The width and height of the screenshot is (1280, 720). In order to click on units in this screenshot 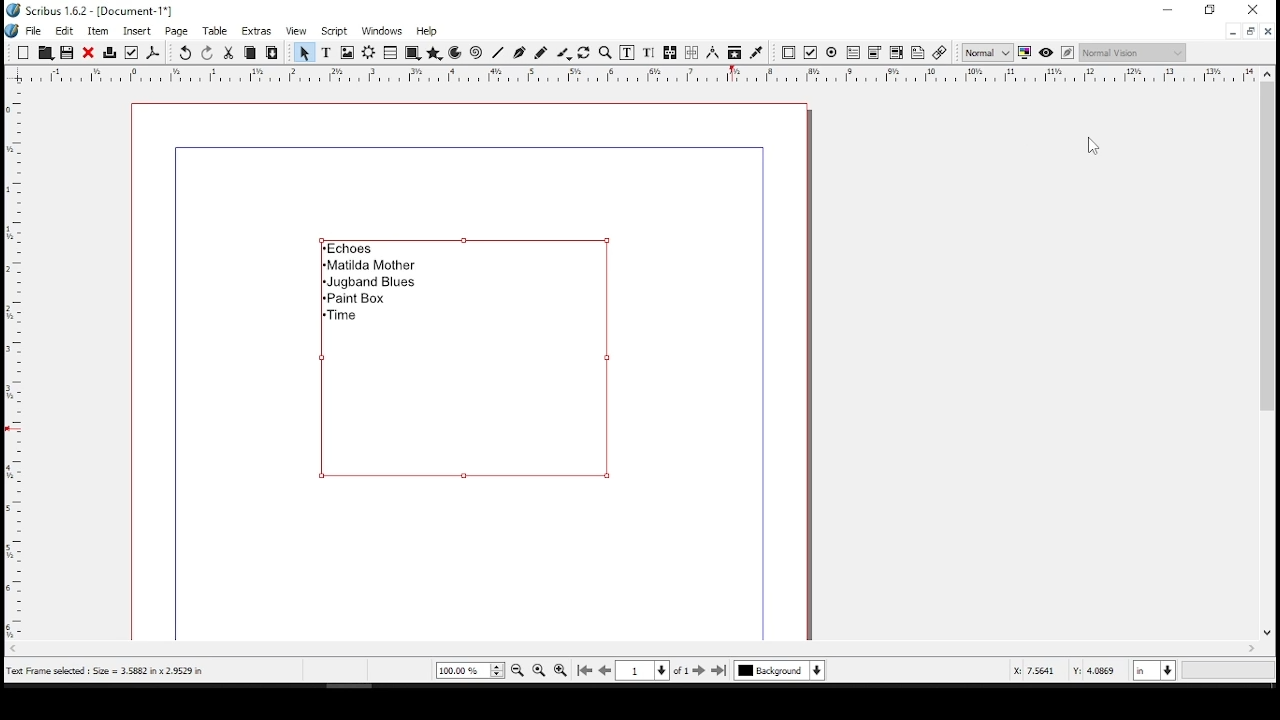, I will do `click(1152, 672)`.